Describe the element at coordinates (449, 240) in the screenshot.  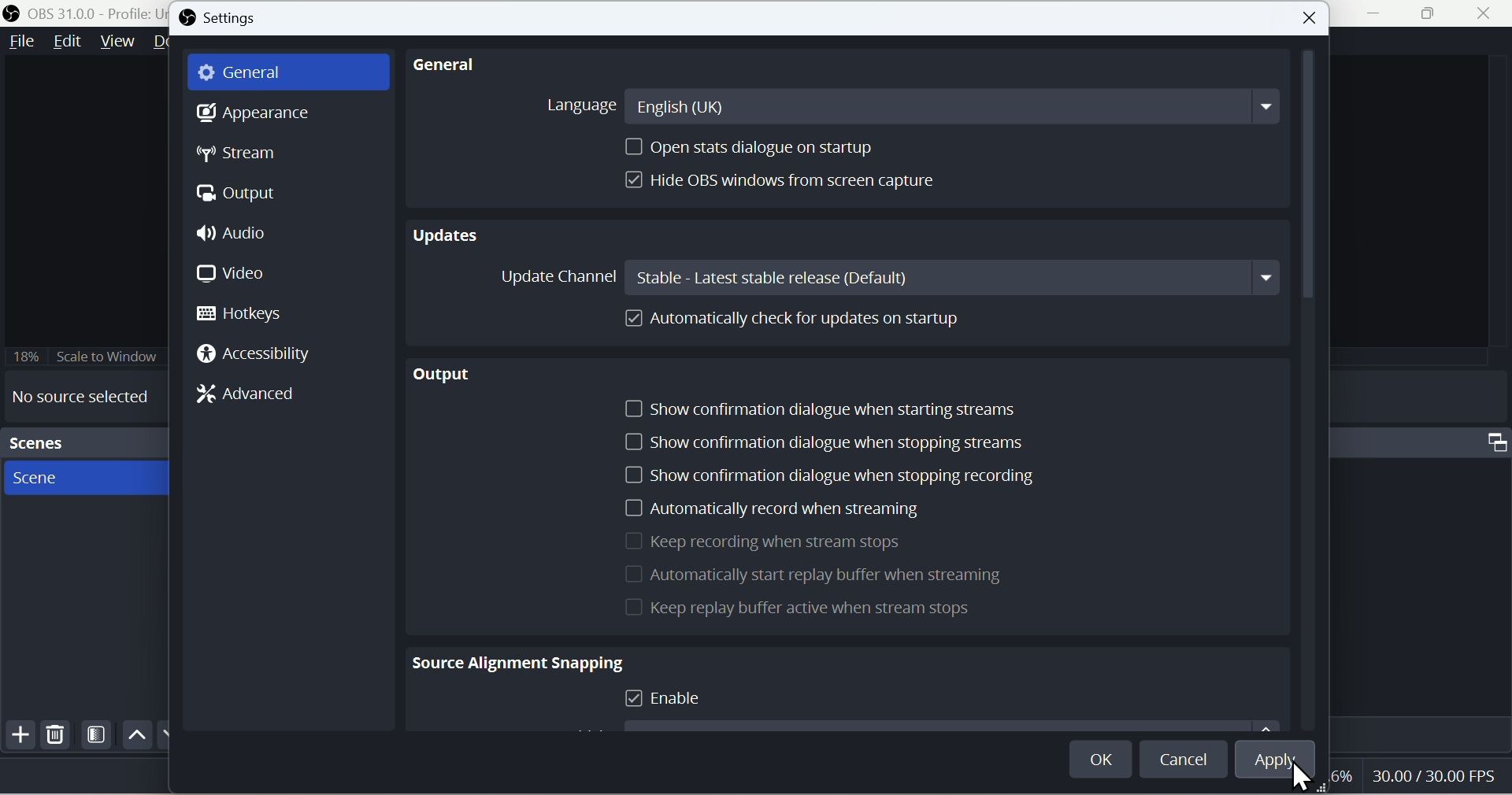
I see `Updates` at that location.